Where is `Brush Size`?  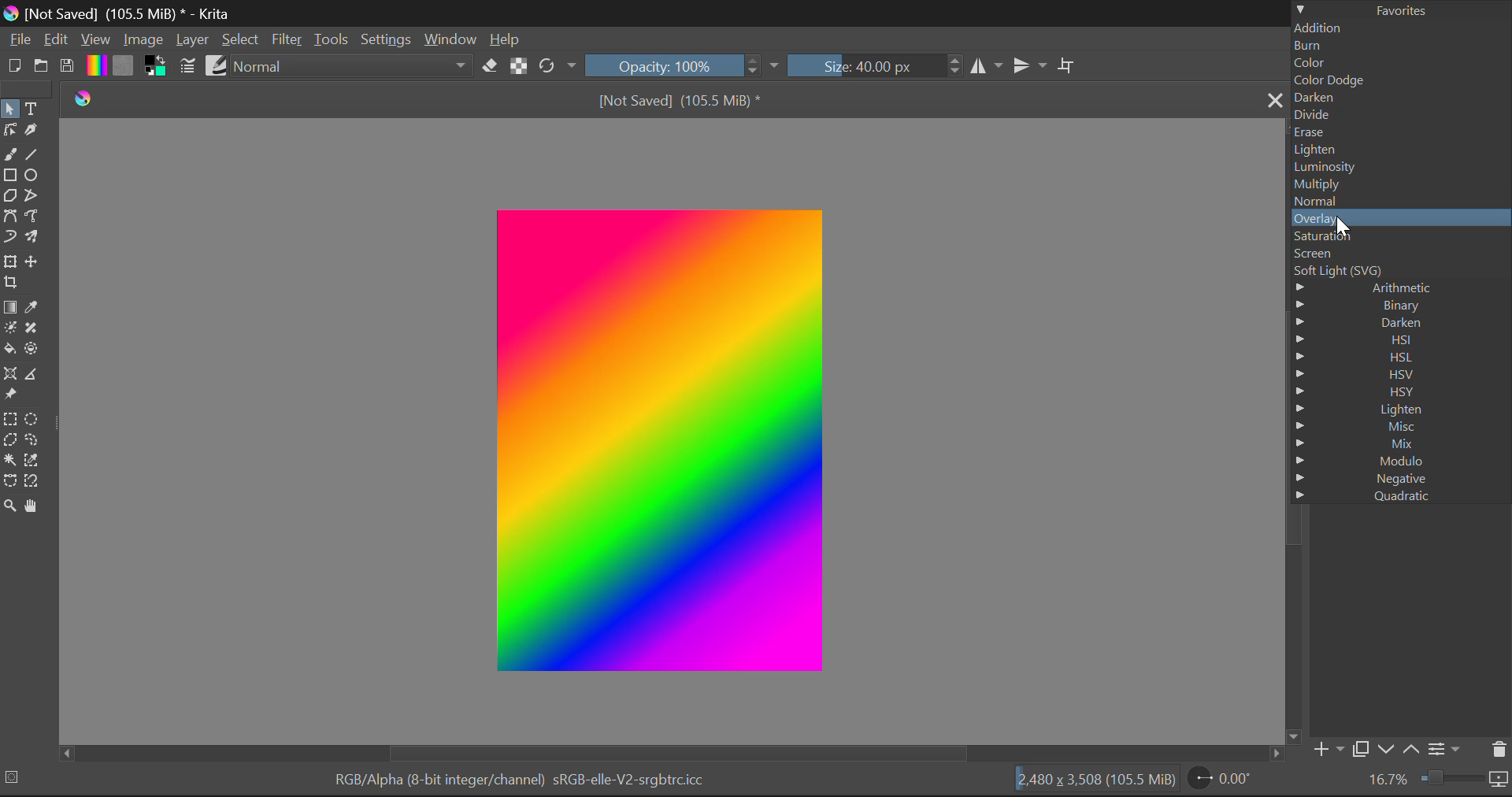 Brush Size is located at coordinates (863, 67).